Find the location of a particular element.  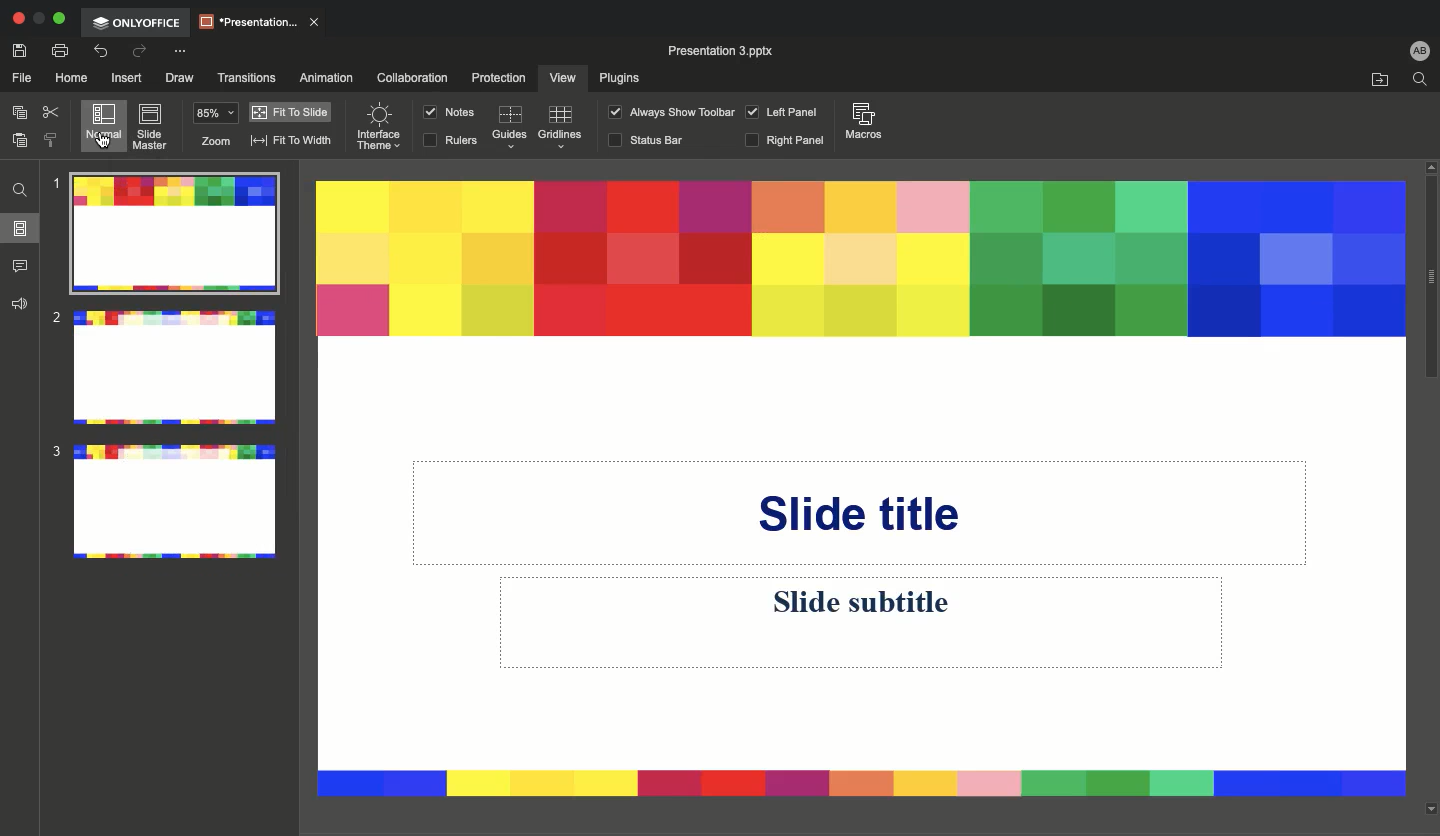

Open file location is located at coordinates (1376, 79).